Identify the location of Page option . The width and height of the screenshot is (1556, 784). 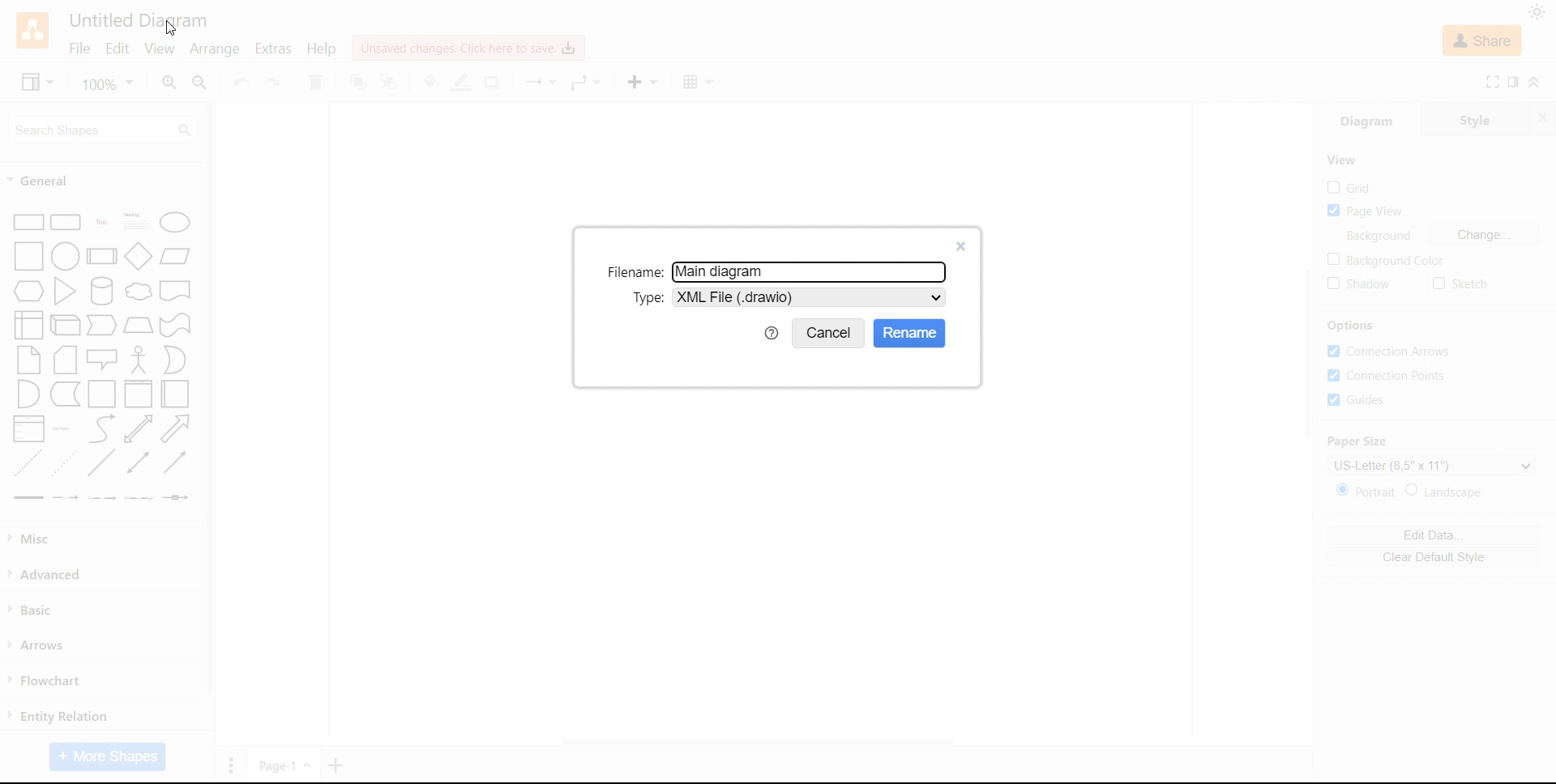
(231, 765).